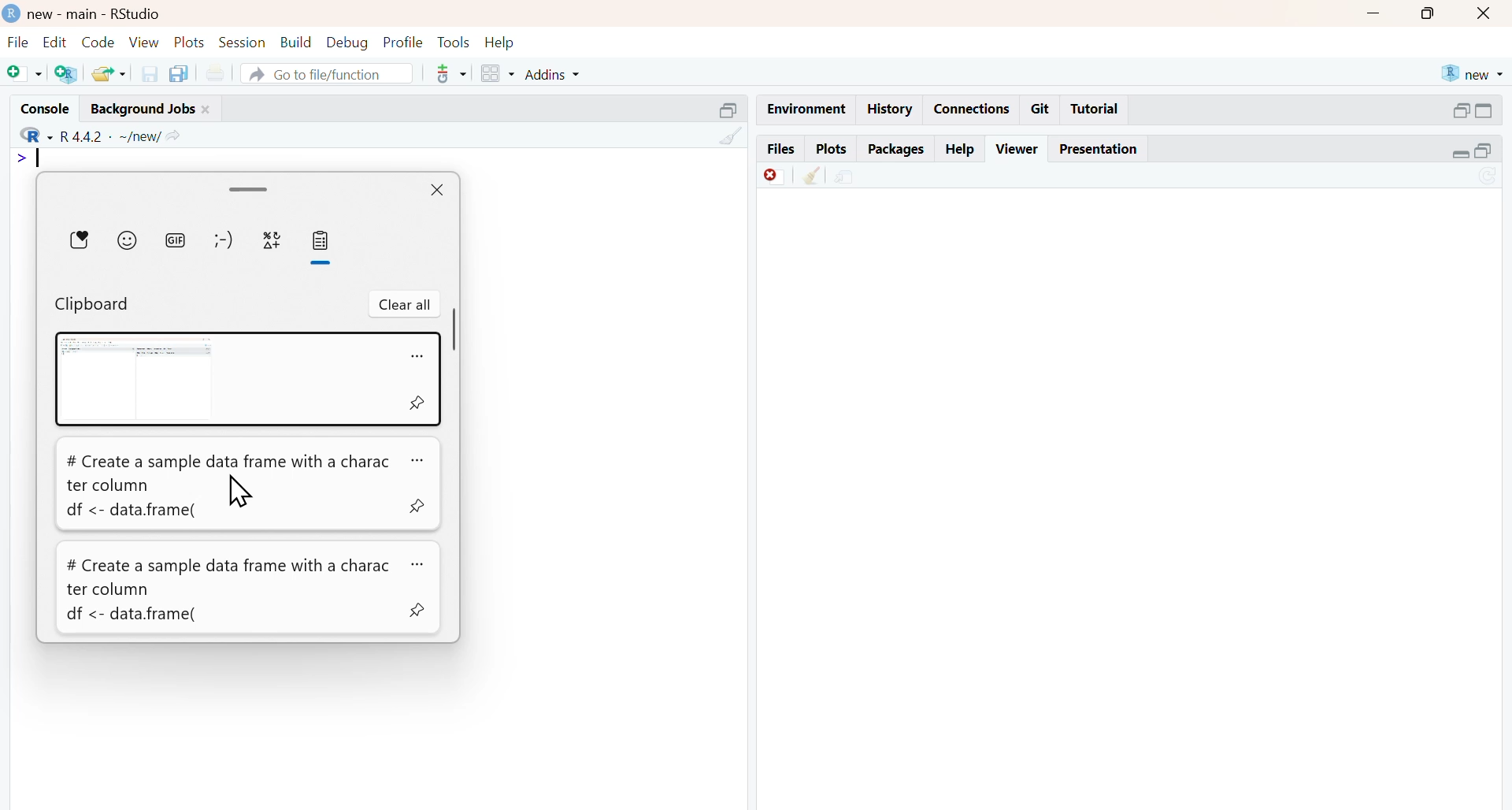 The image size is (1512, 810). What do you see at coordinates (973, 109) in the screenshot?
I see `connections` at bounding box center [973, 109].